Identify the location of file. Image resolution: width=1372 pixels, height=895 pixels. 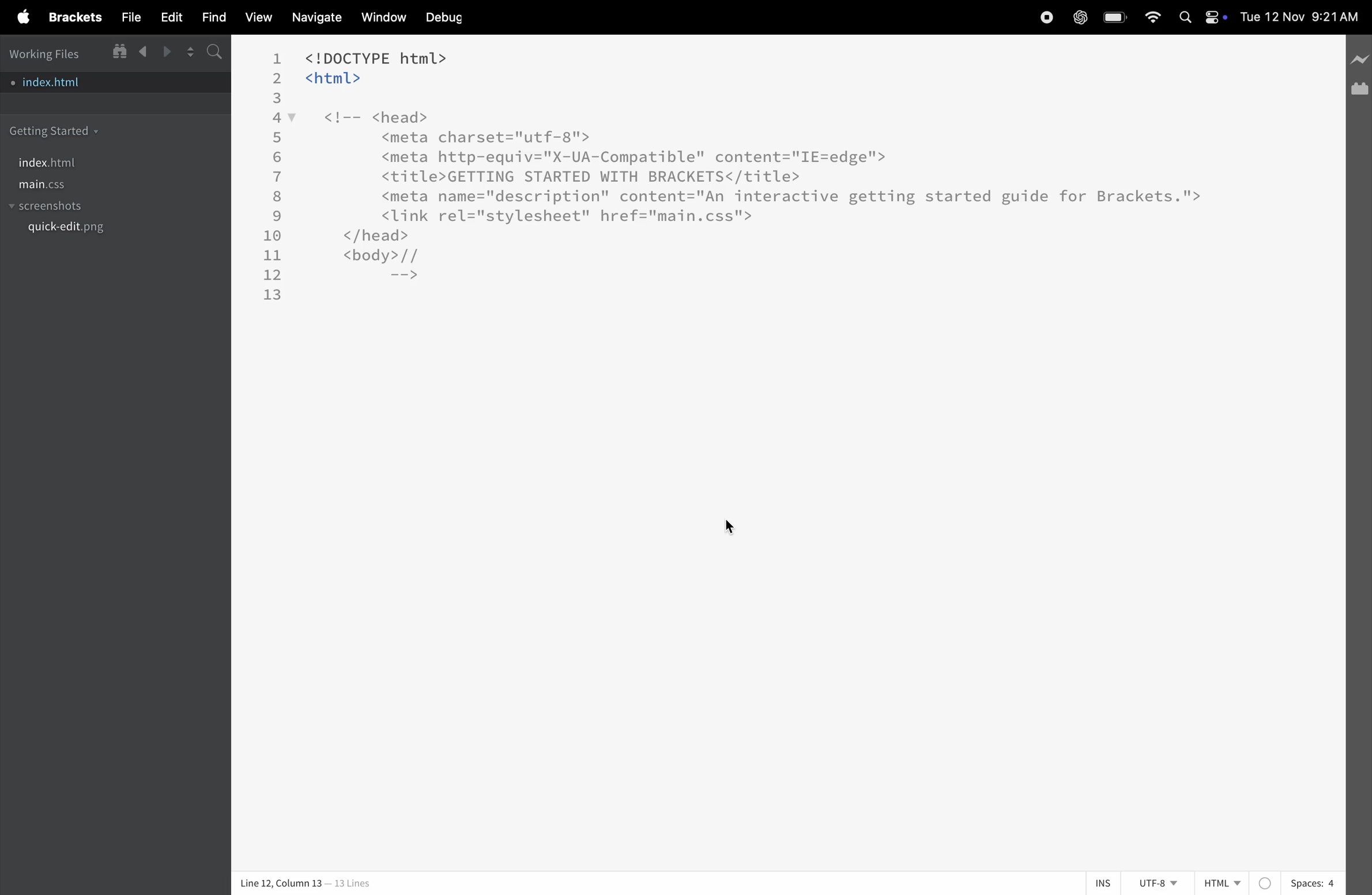
(126, 17).